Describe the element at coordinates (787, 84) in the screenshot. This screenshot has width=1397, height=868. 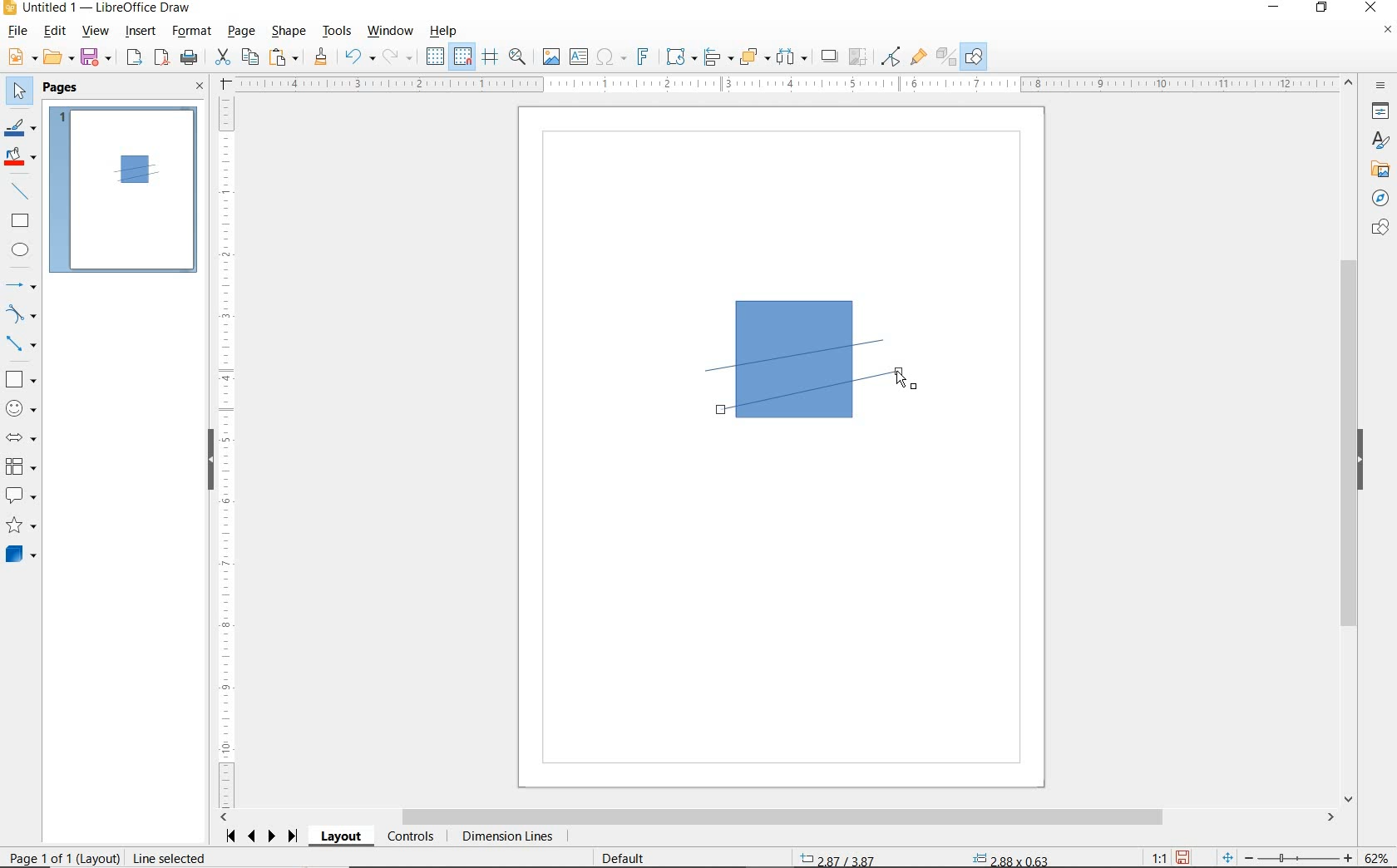
I see `RULER` at that location.